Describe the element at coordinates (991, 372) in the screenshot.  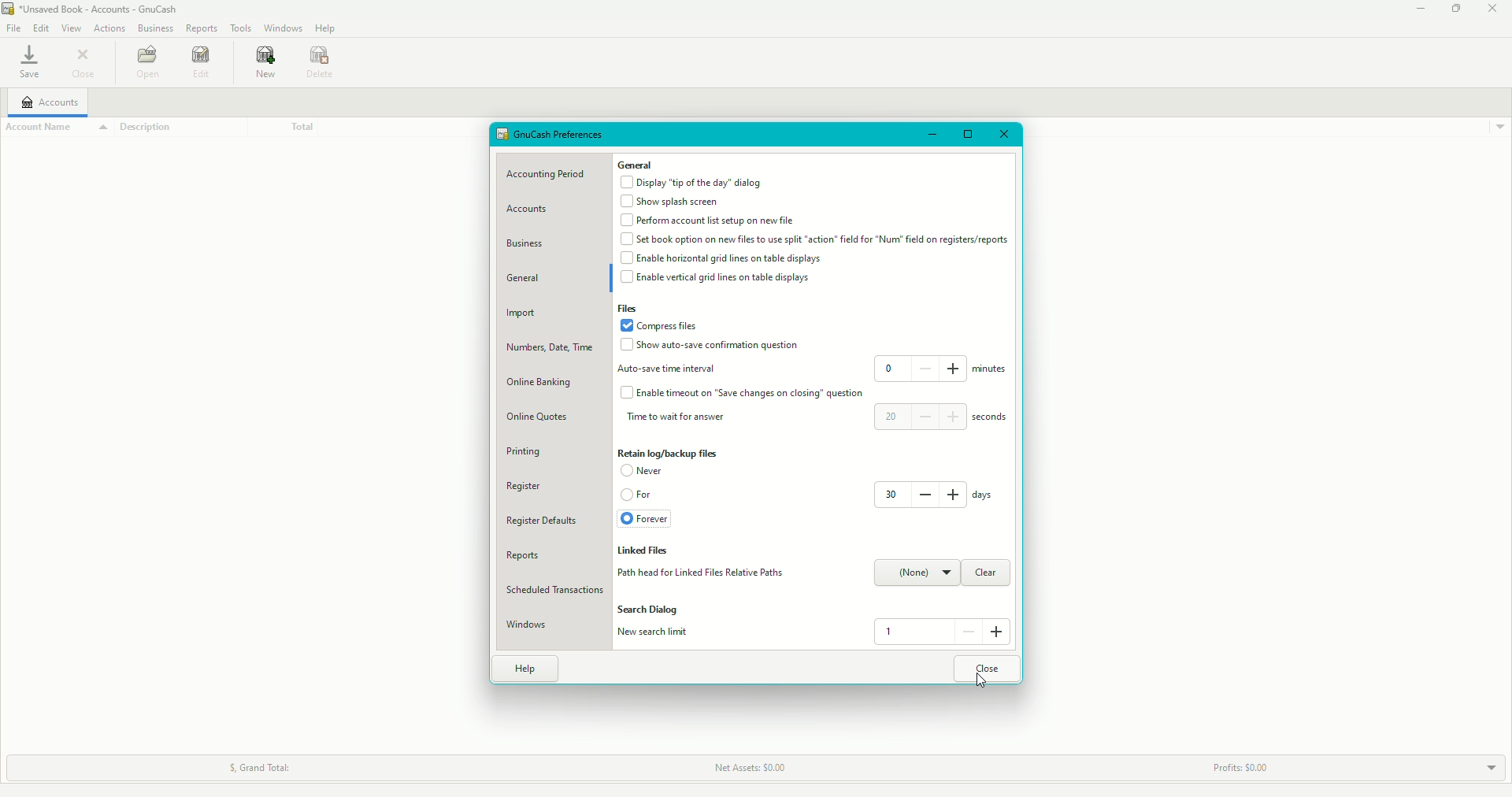
I see `minutes` at that location.